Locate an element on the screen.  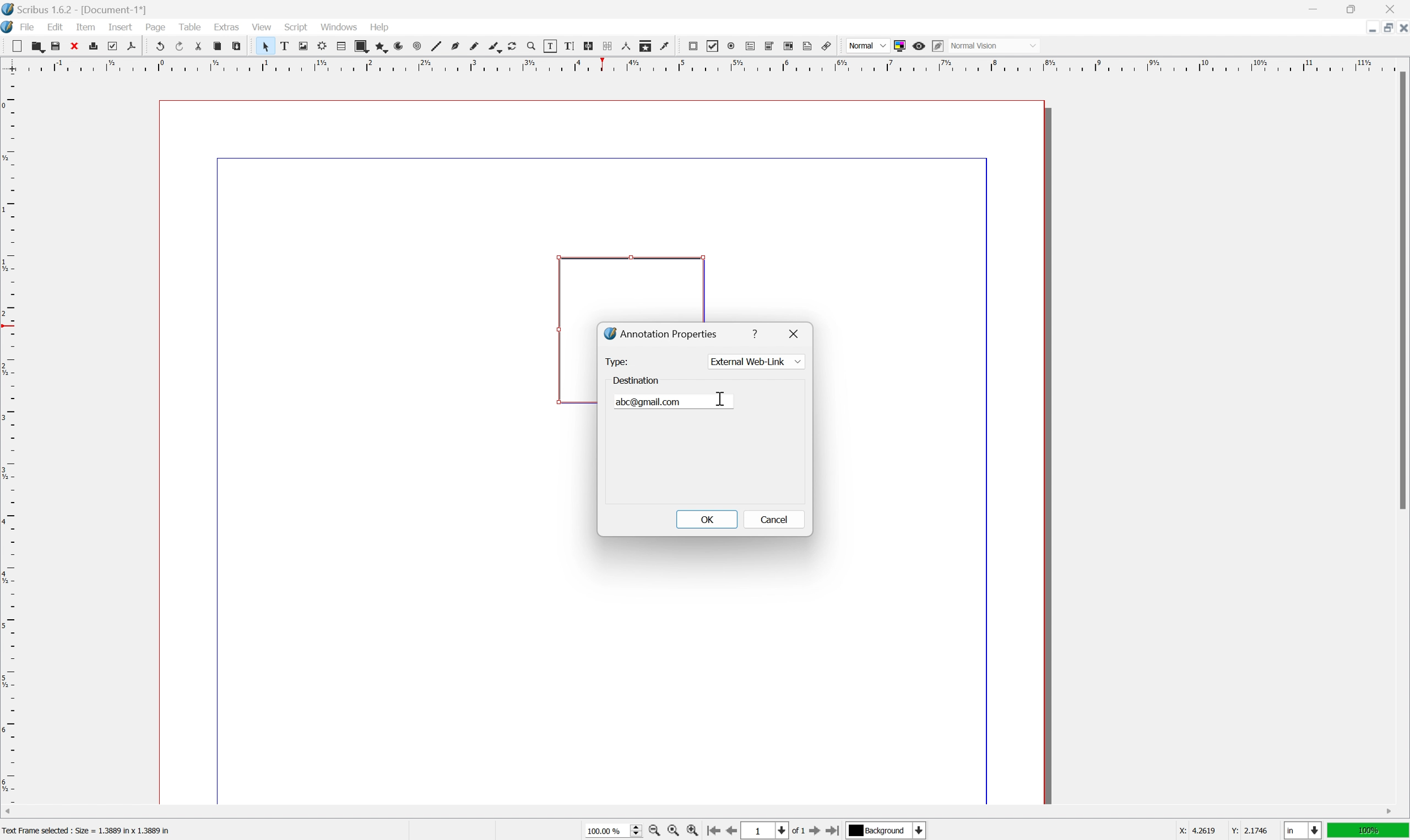
pdf radio button is located at coordinates (731, 46).